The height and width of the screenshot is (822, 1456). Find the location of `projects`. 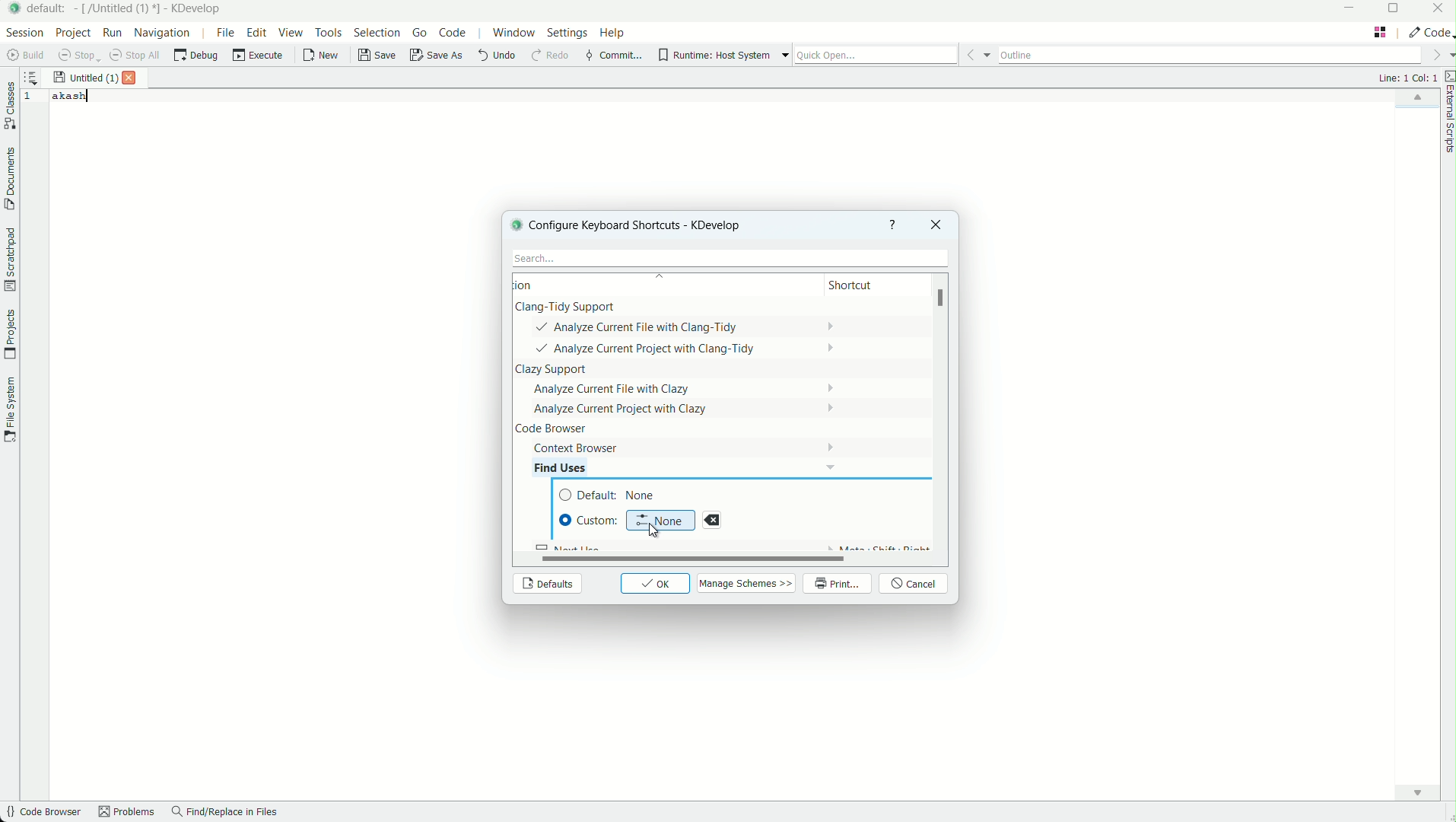

projects is located at coordinates (9, 335).